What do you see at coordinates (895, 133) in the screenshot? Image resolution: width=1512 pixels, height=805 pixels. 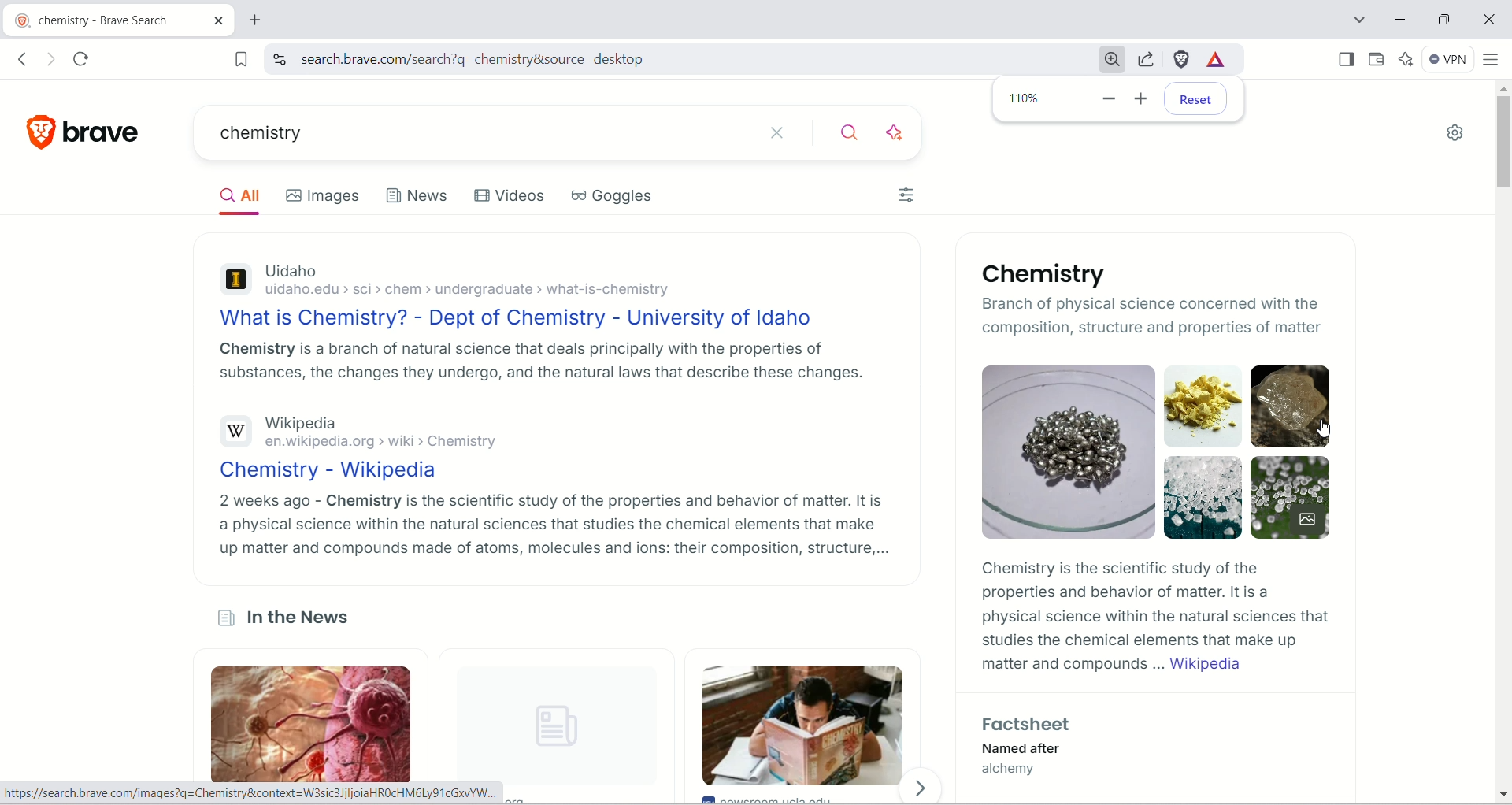 I see `answer with AI` at bounding box center [895, 133].